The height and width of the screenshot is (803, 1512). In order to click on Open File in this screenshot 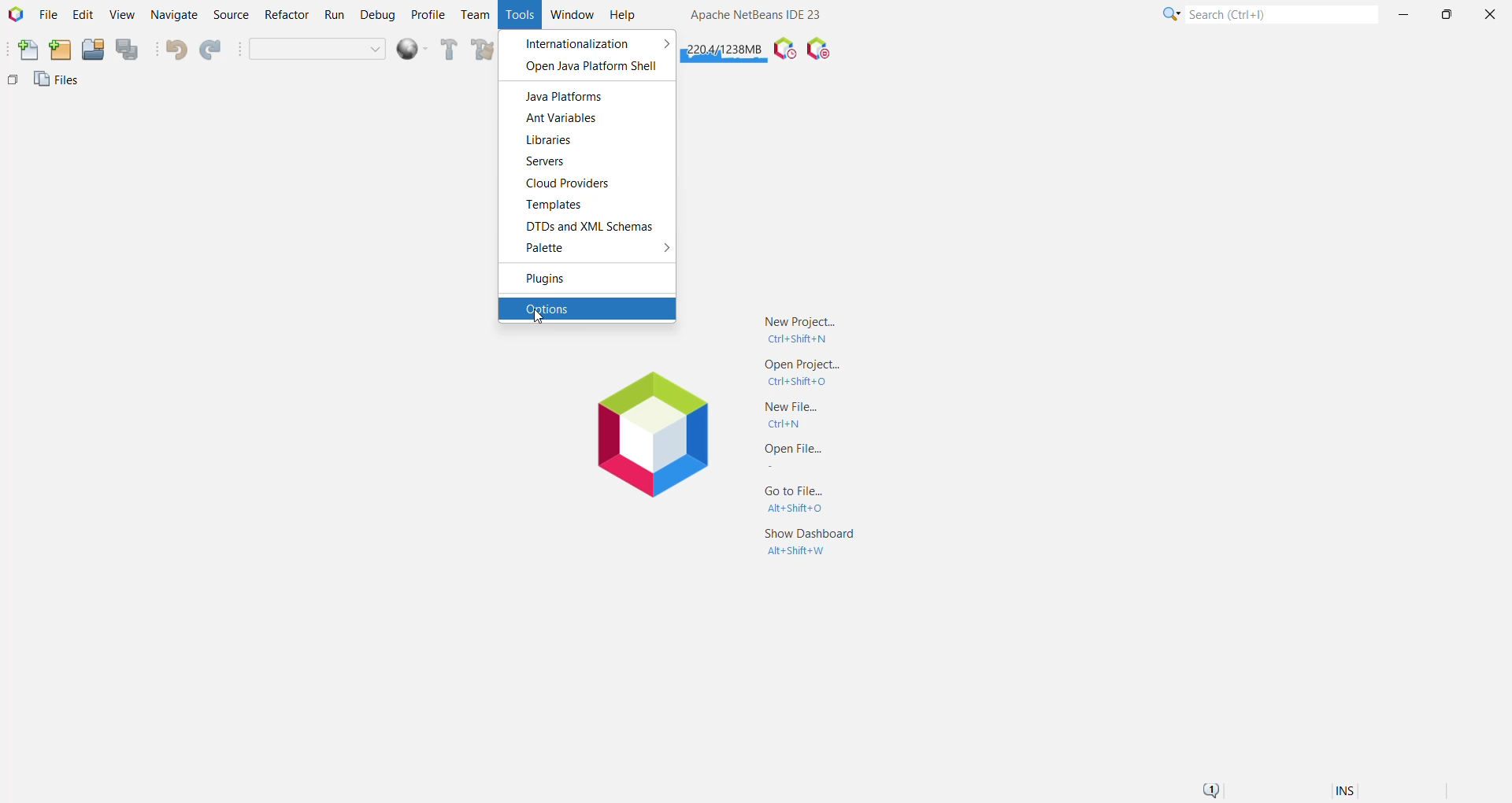, I will do `click(791, 449)`.